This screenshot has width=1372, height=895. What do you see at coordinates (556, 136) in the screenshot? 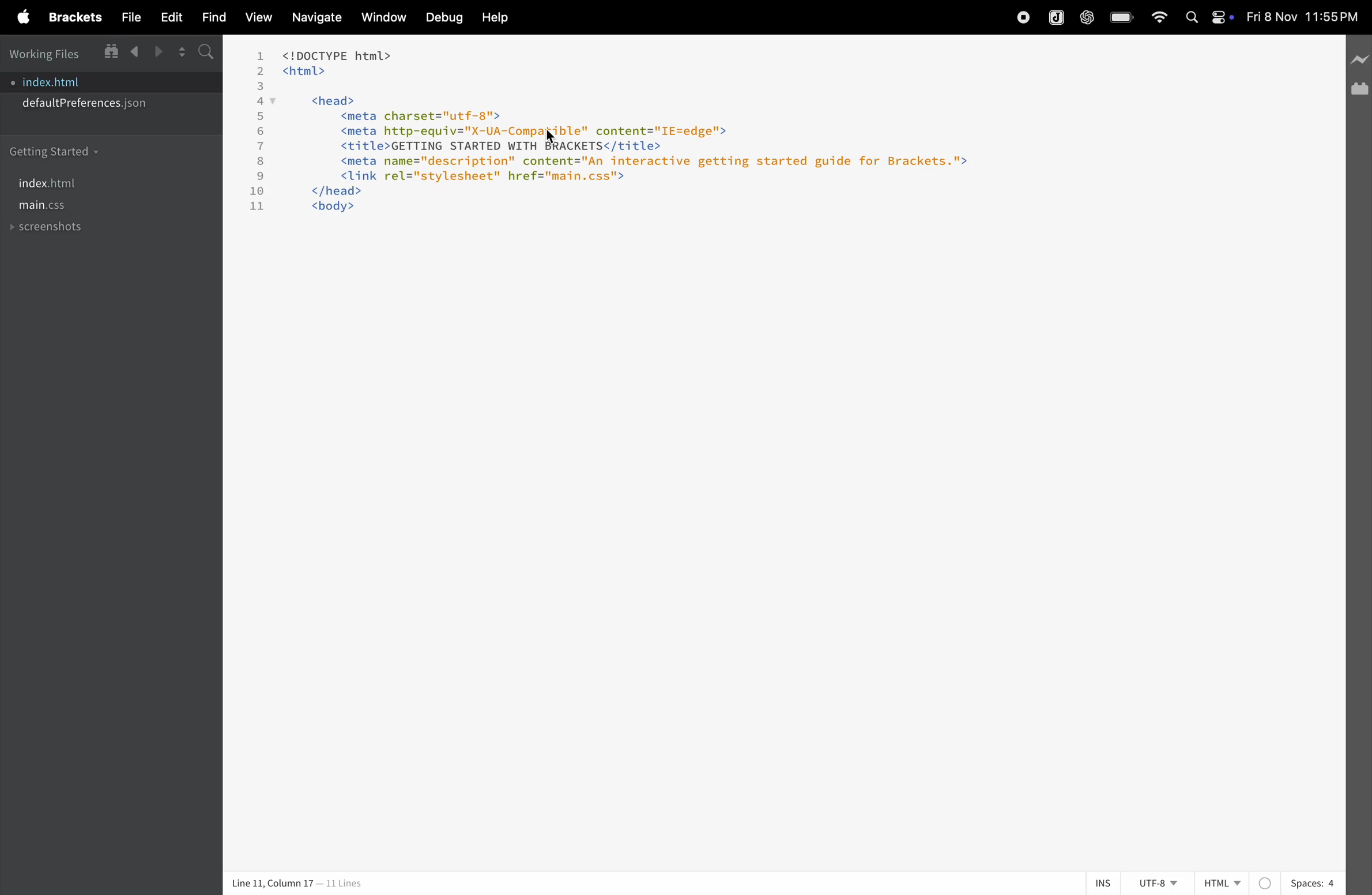
I see `cursor` at bounding box center [556, 136].